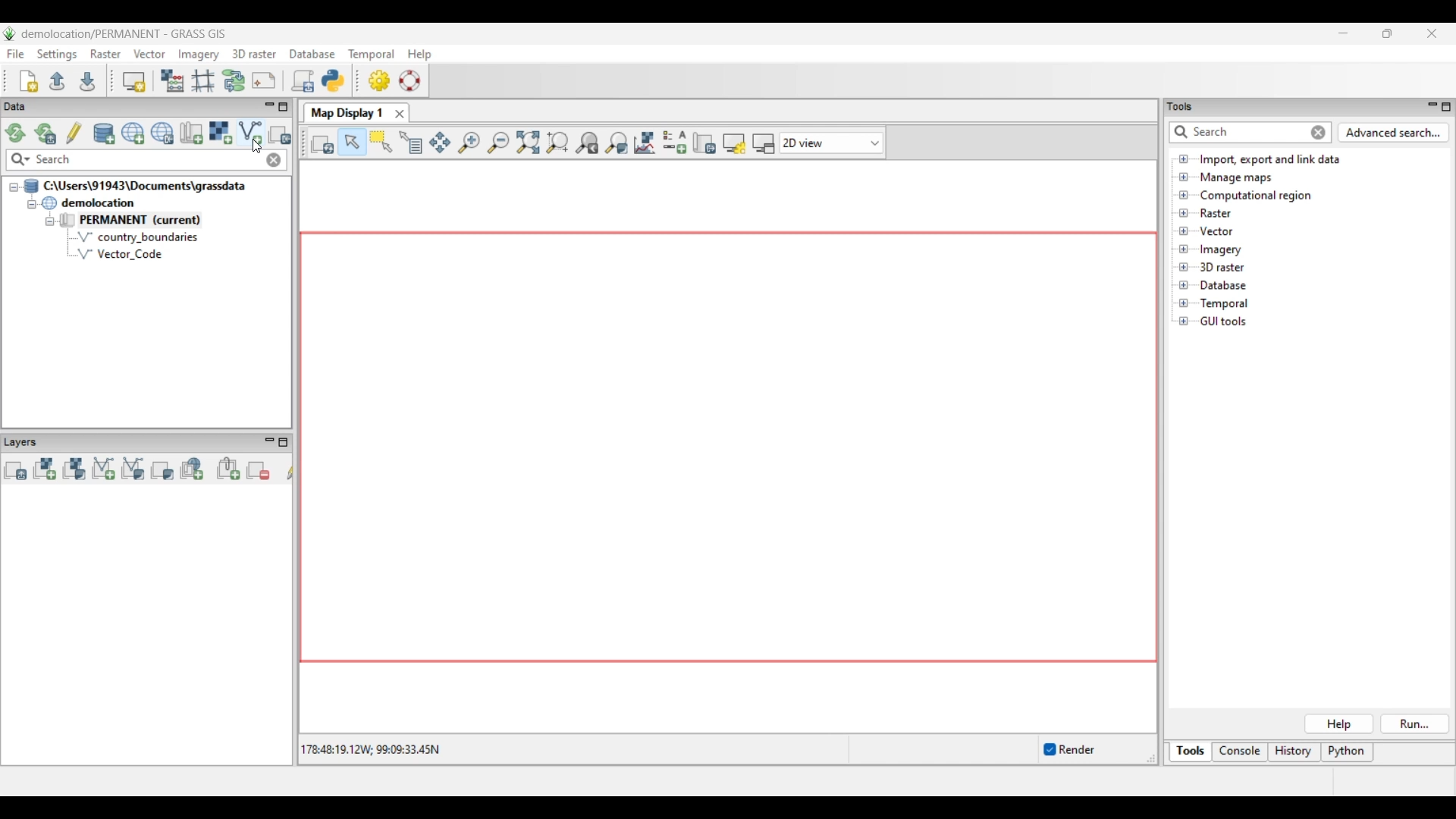 Image resolution: width=1456 pixels, height=819 pixels. Describe the element at coordinates (162, 470) in the screenshot. I see `Add various overlays` at that location.